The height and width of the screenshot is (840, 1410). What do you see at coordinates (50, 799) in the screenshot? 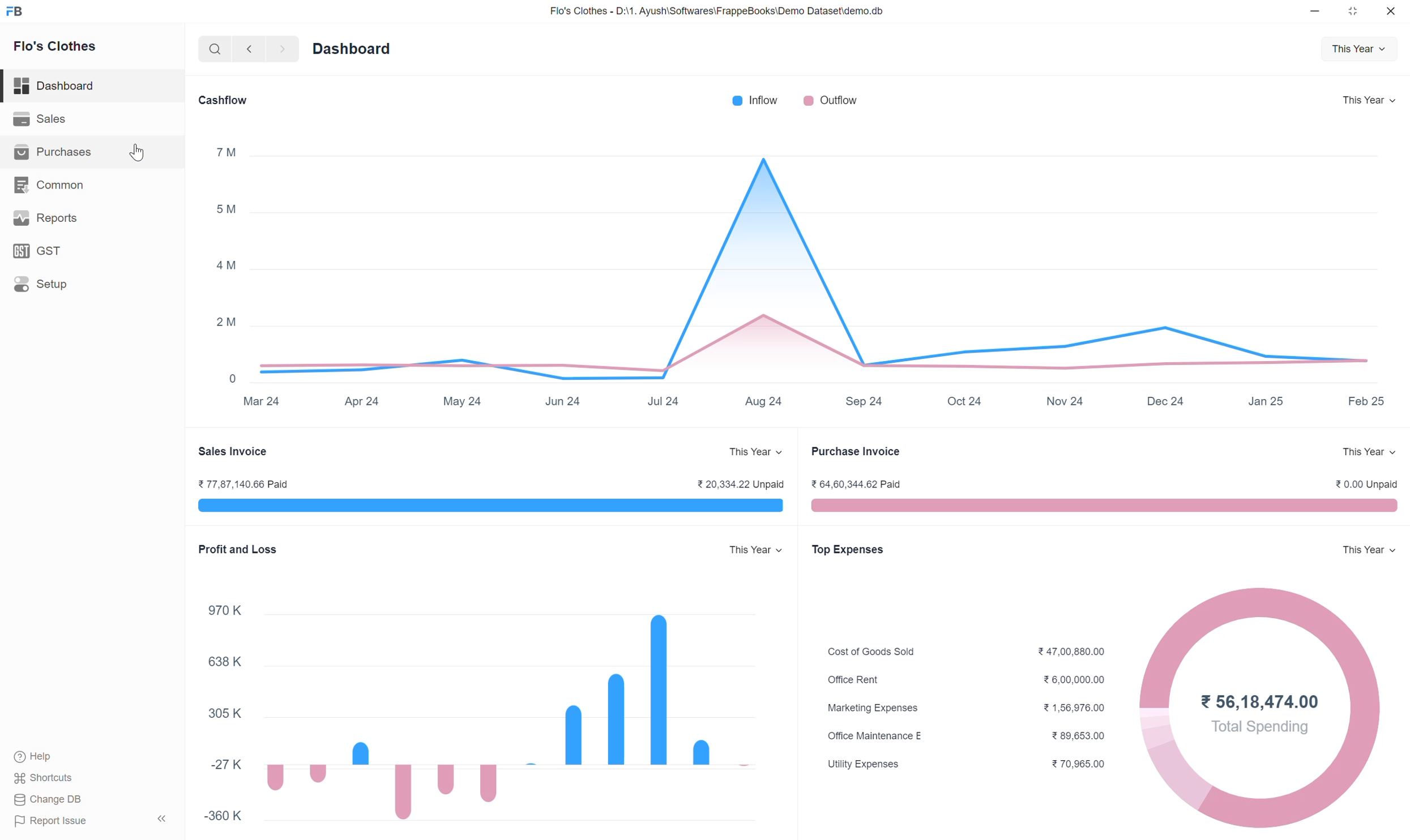
I see `Change DB` at bounding box center [50, 799].